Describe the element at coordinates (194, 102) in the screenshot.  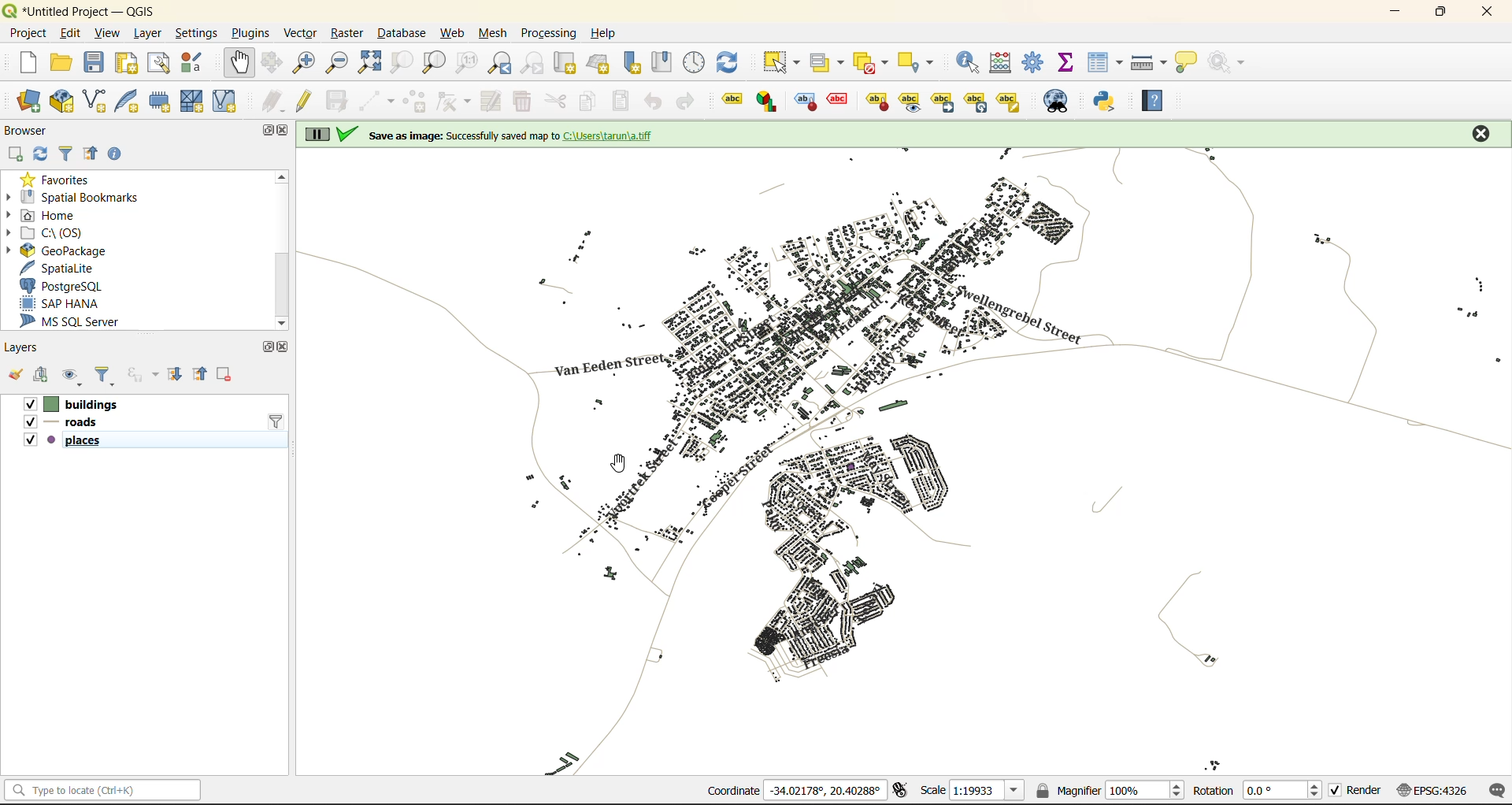
I see `new mesh` at that location.